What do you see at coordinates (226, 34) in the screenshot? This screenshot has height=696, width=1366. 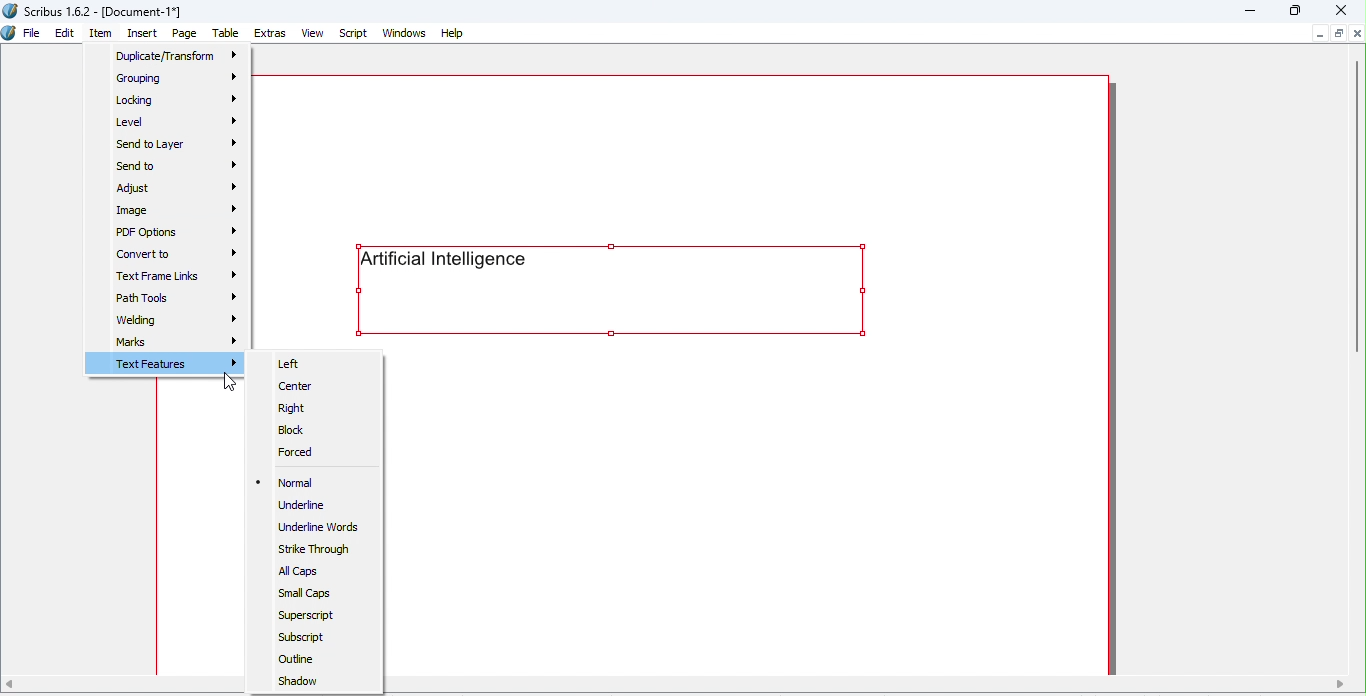 I see `Table` at bounding box center [226, 34].